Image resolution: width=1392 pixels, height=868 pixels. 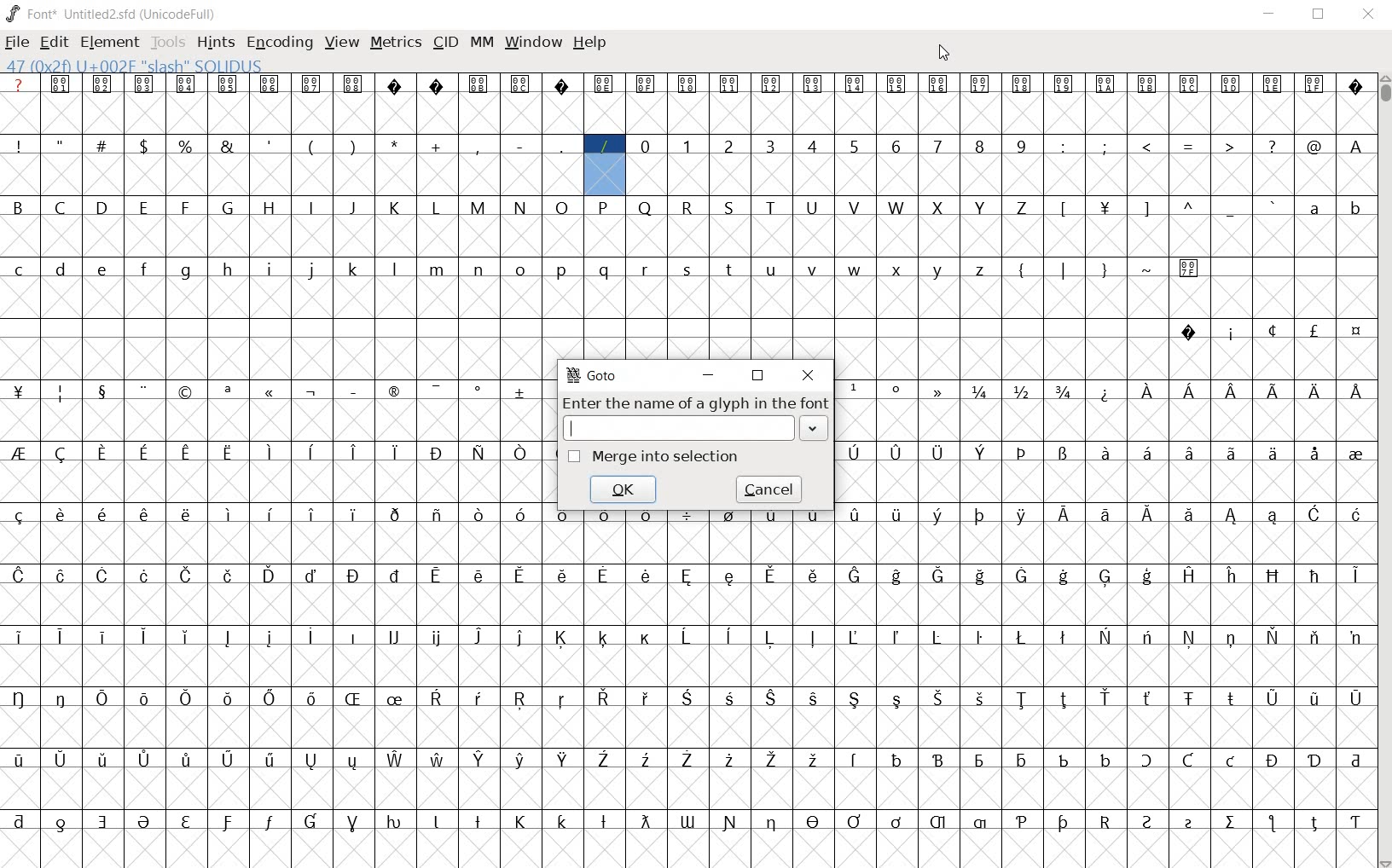 I want to click on HELP, so click(x=591, y=44).